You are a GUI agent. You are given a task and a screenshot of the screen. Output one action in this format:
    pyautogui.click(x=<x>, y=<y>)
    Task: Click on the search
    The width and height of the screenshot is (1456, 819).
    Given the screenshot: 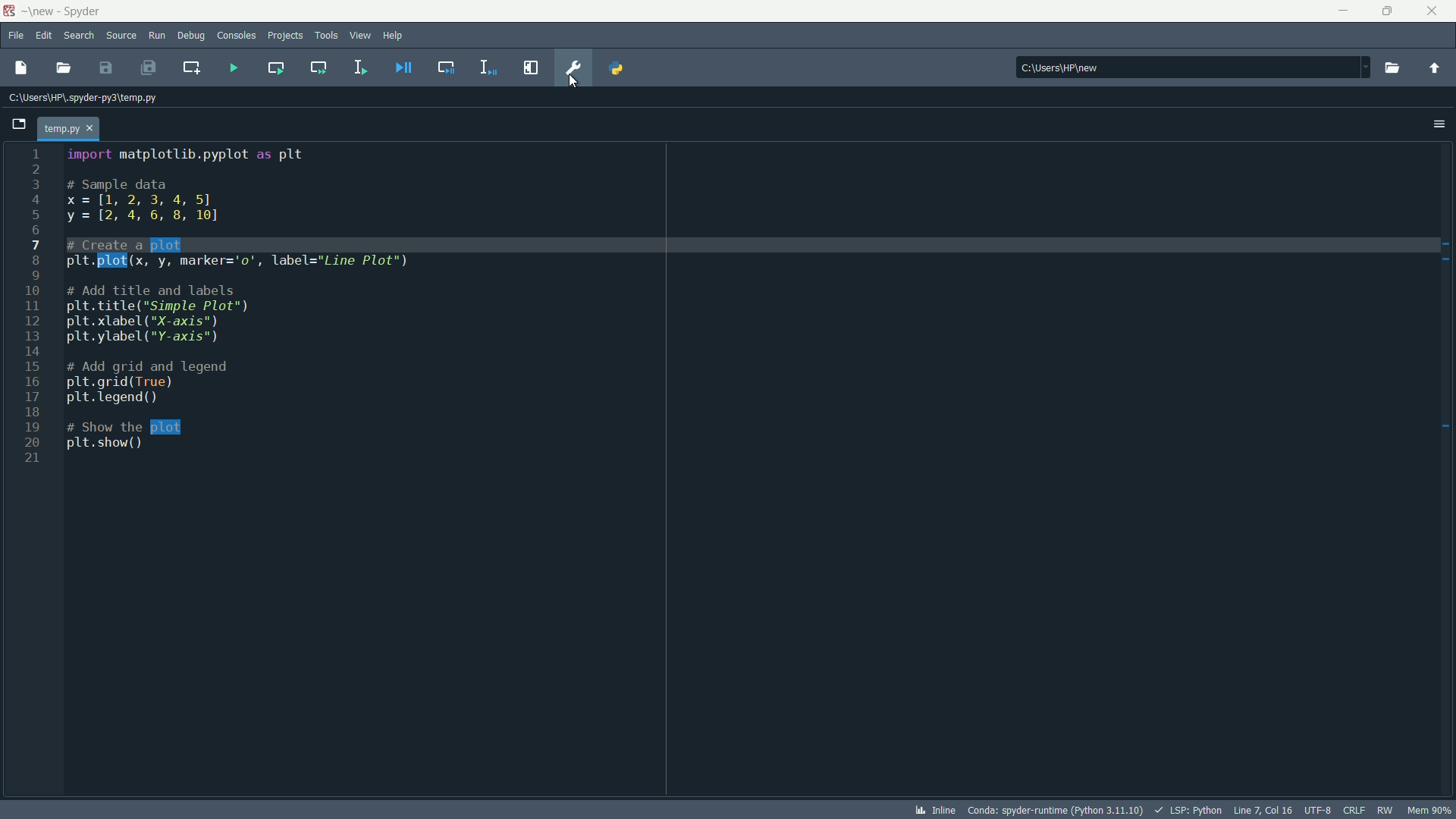 What is the action you would take?
    pyautogui.click(x=79, y=36)
    